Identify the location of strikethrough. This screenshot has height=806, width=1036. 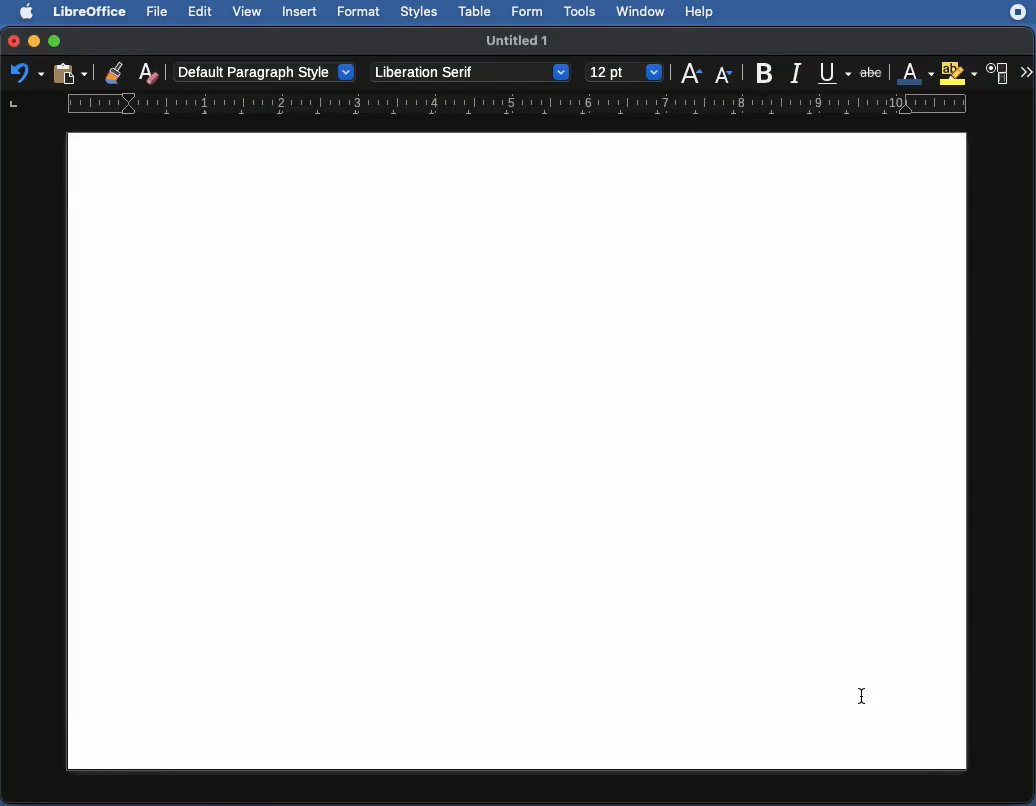
(871, 70).